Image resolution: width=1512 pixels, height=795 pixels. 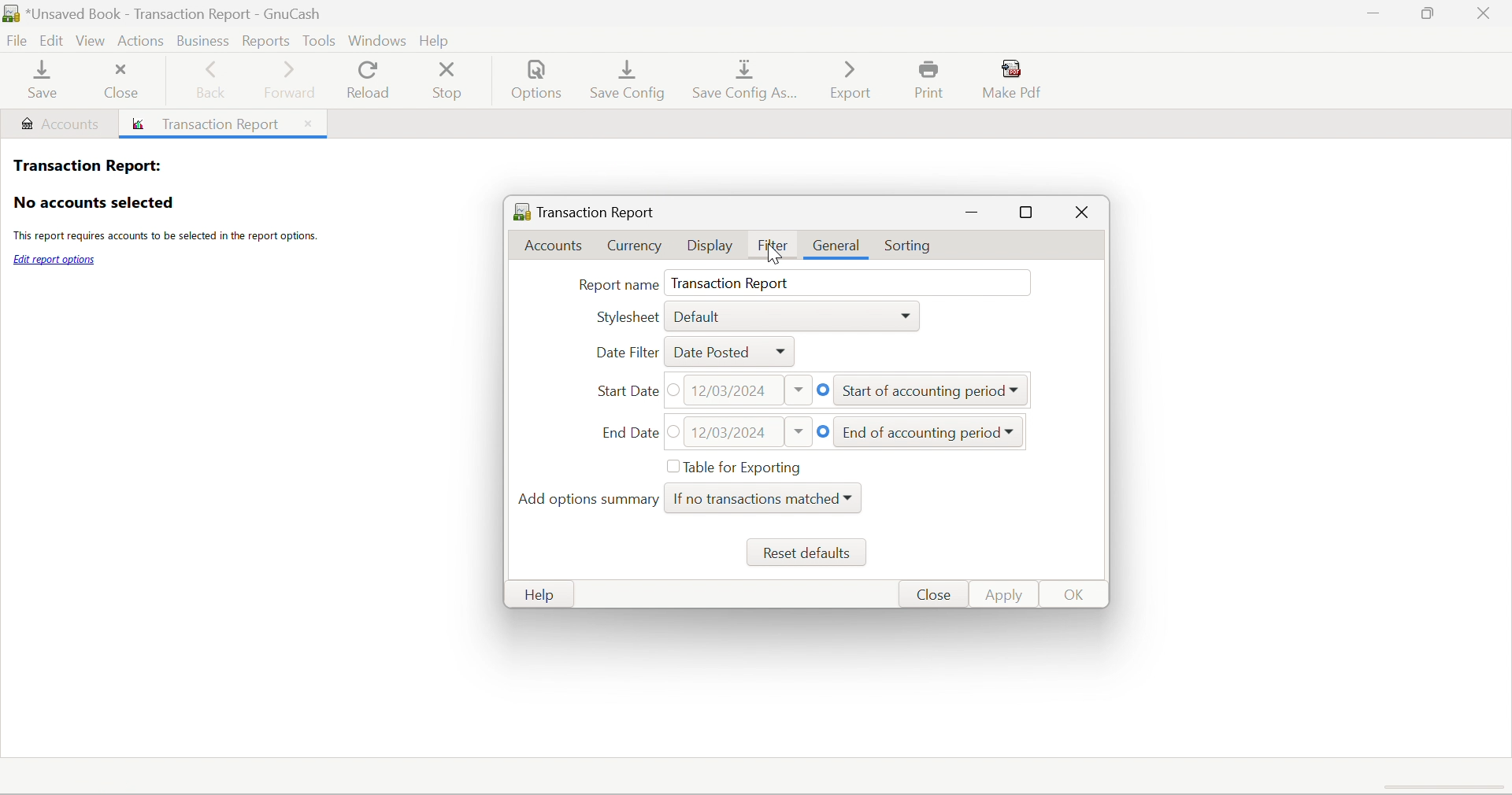 I want to click on Save Config, so click(x=630, y=79).